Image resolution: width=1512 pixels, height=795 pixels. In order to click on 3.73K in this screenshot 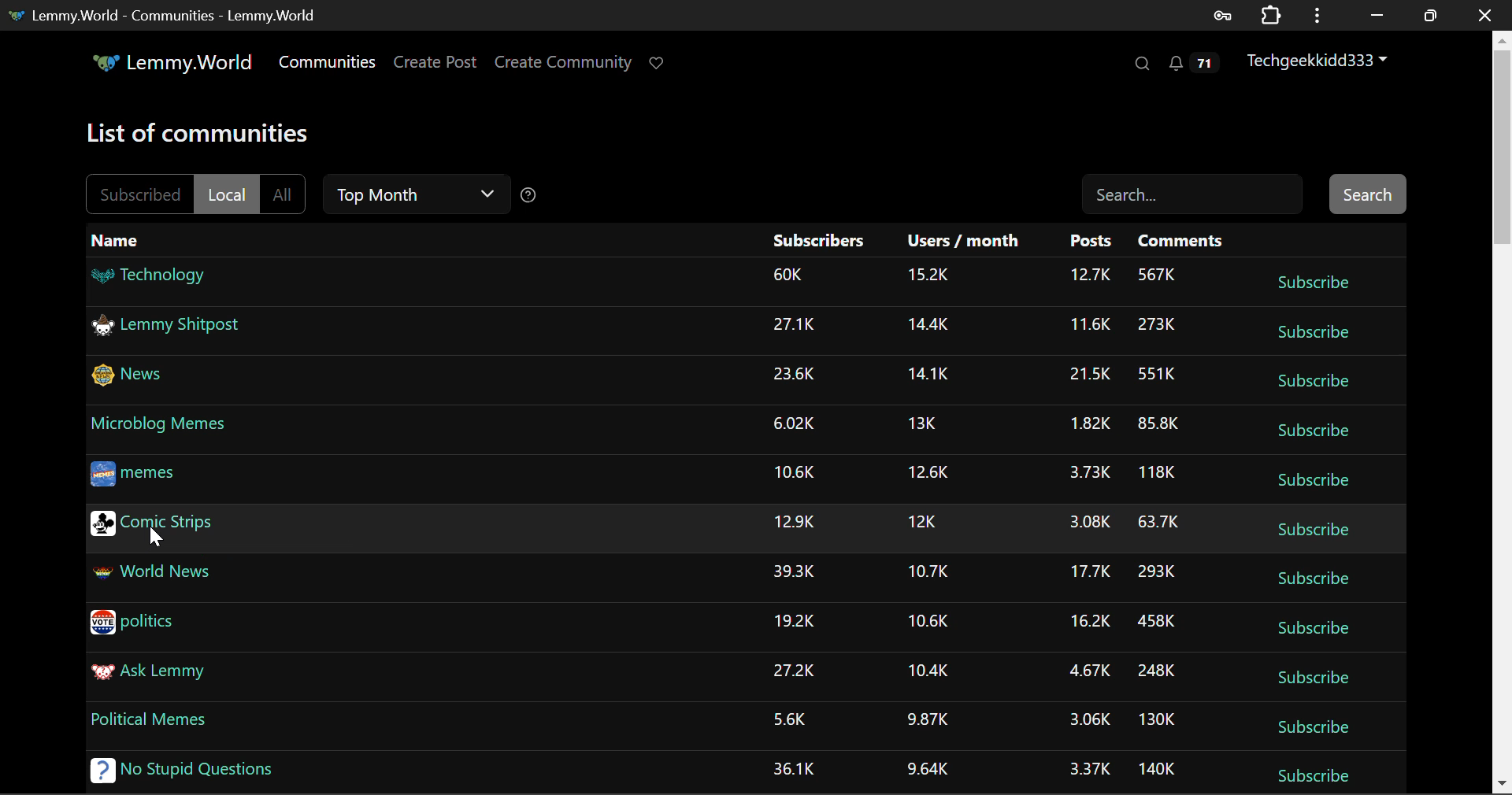, I will do `click(1085, 472)`.